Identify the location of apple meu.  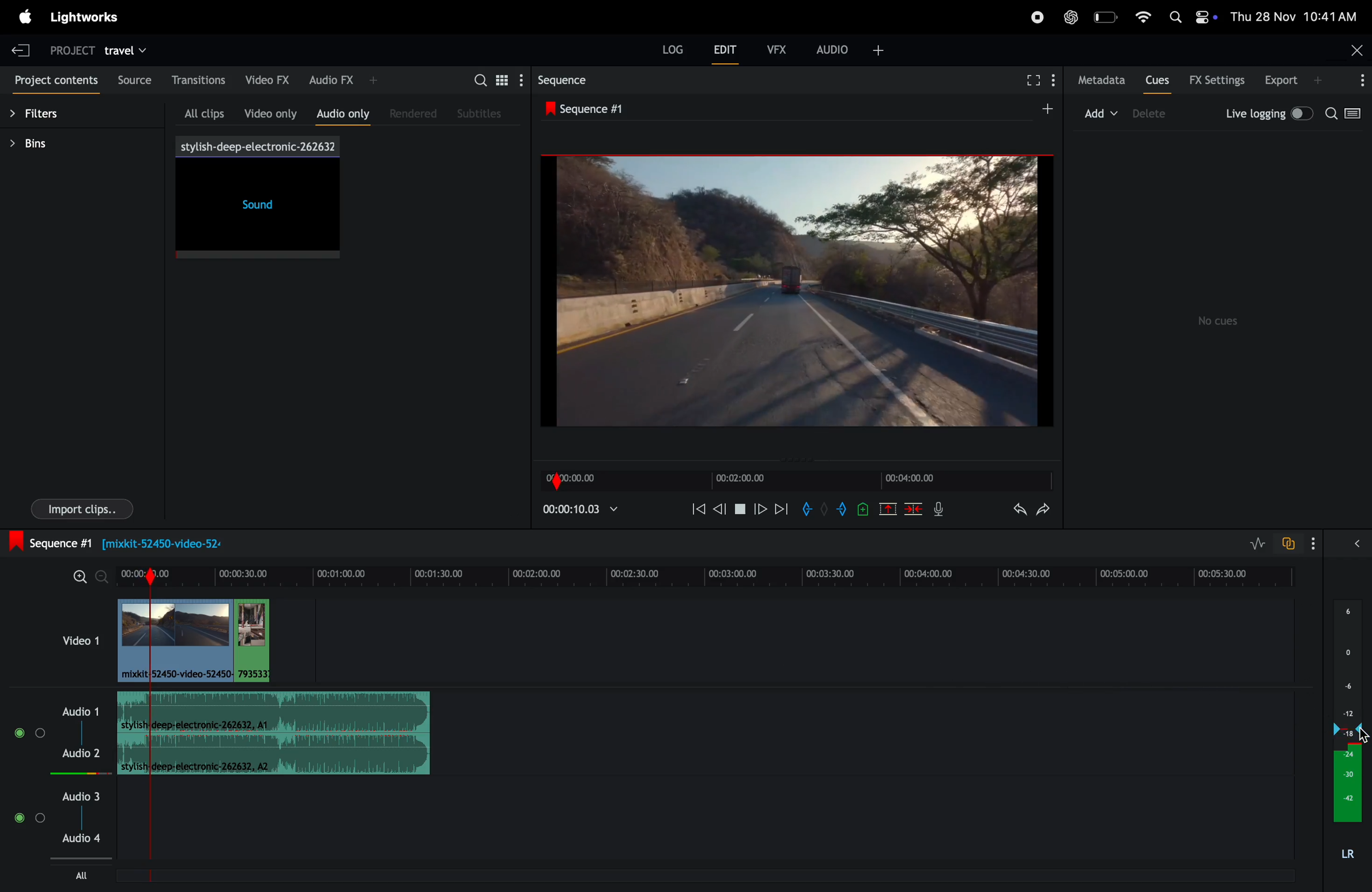
(25, 18).